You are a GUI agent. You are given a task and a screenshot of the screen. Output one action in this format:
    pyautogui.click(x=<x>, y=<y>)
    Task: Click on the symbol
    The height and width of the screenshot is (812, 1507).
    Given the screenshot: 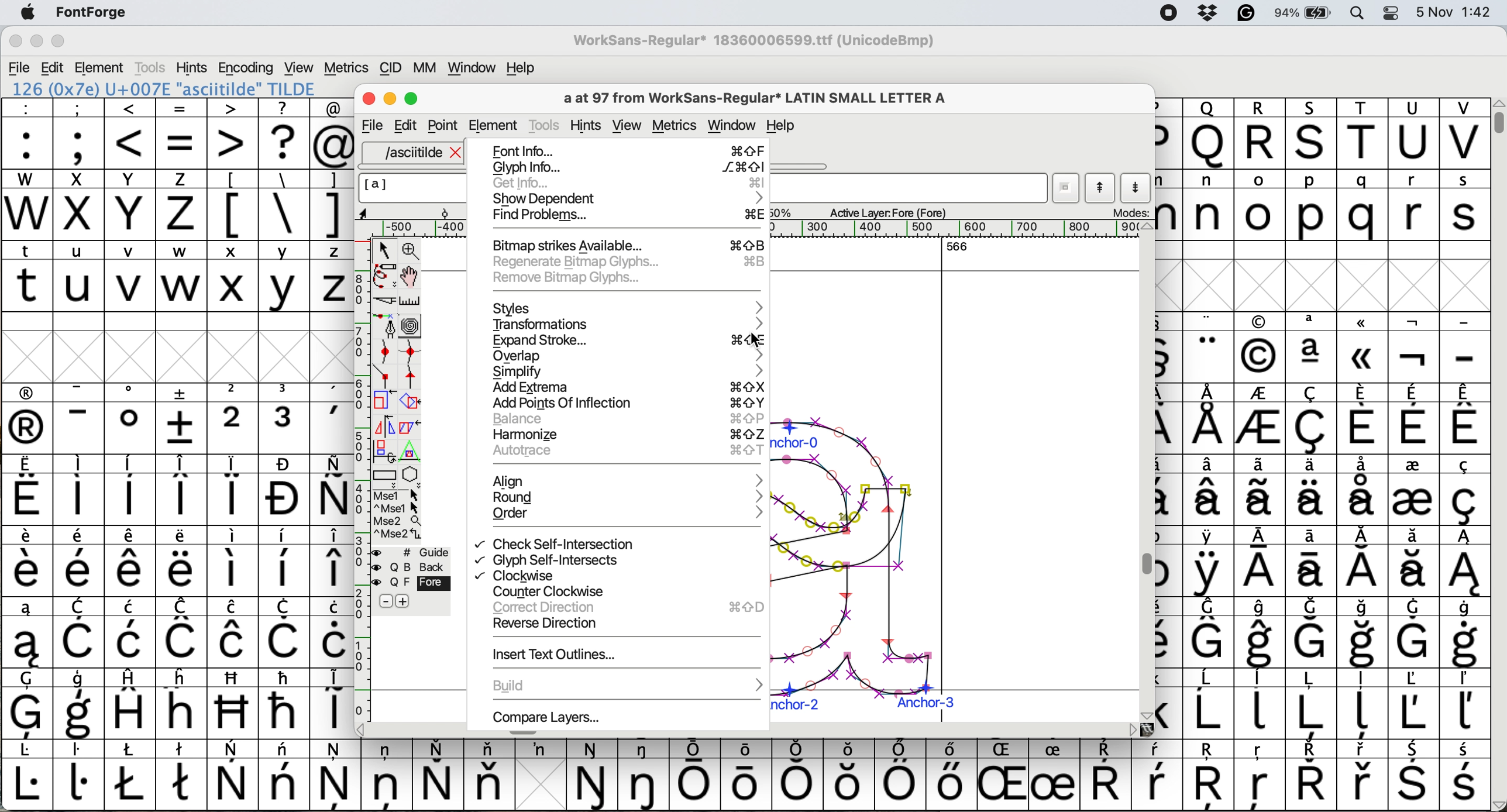 What is the action you would take?
    pyautogui.click(x=1365, y=705)
    